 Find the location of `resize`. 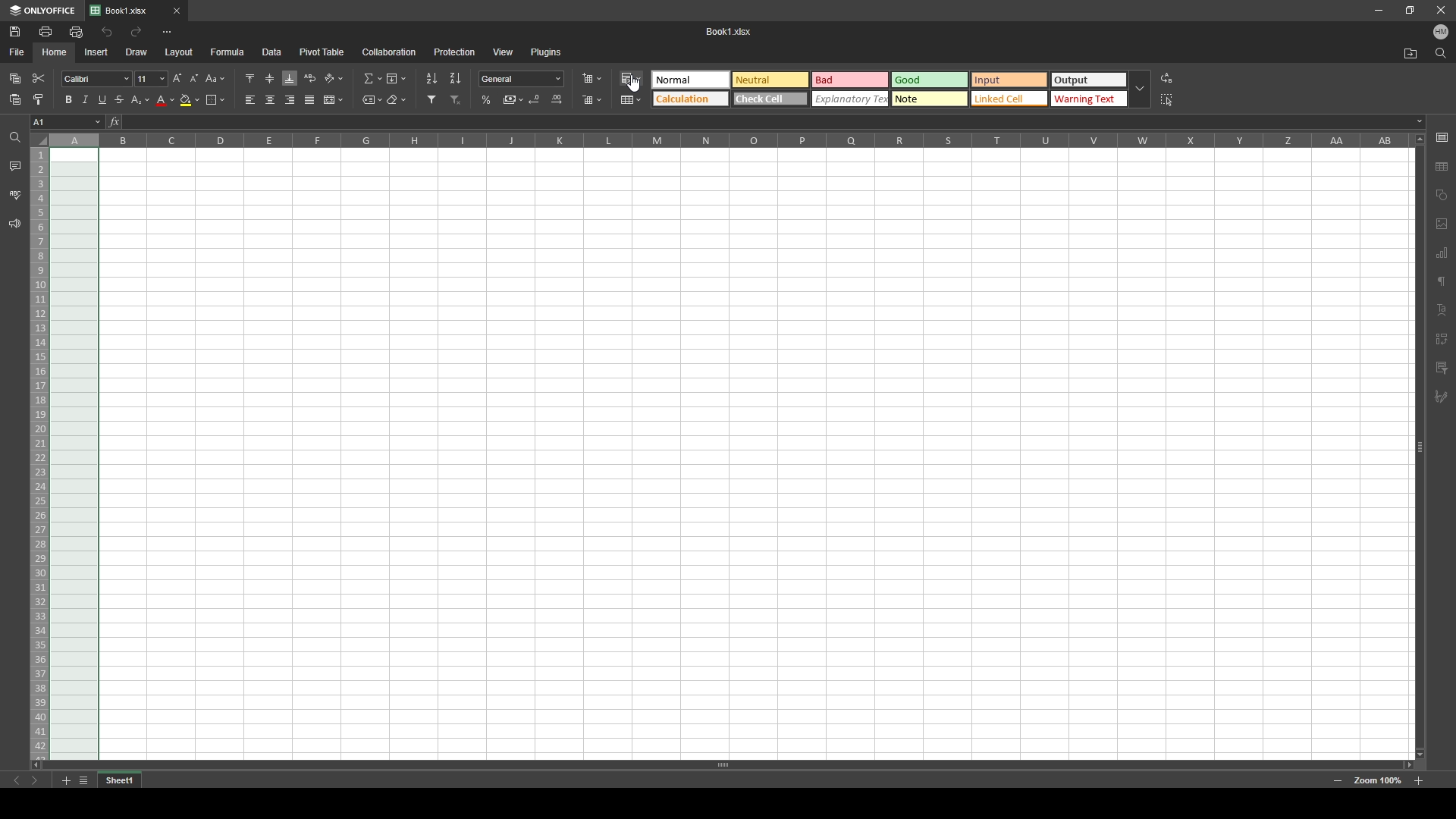

resize is located at coordinates (1410, 9).